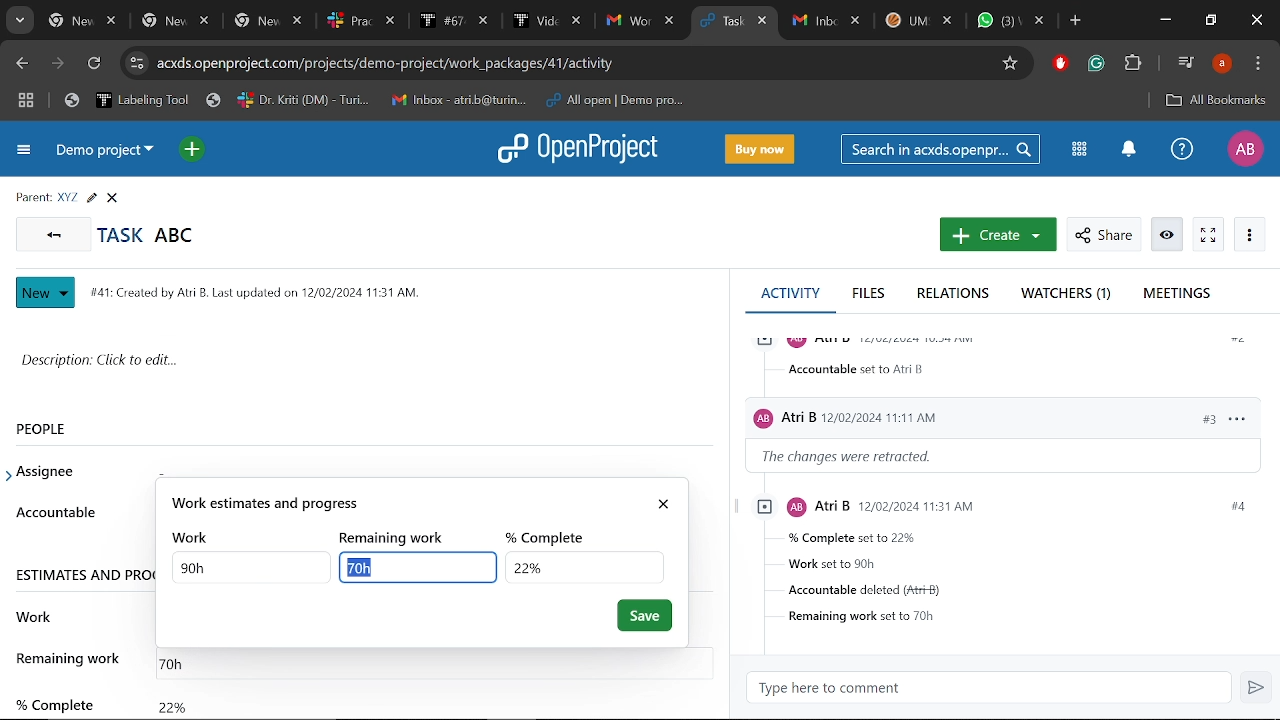  What do you see at coordinates (584, 150) in the screenshot?
I see `Open project logo` at bounding box center [584, 150].